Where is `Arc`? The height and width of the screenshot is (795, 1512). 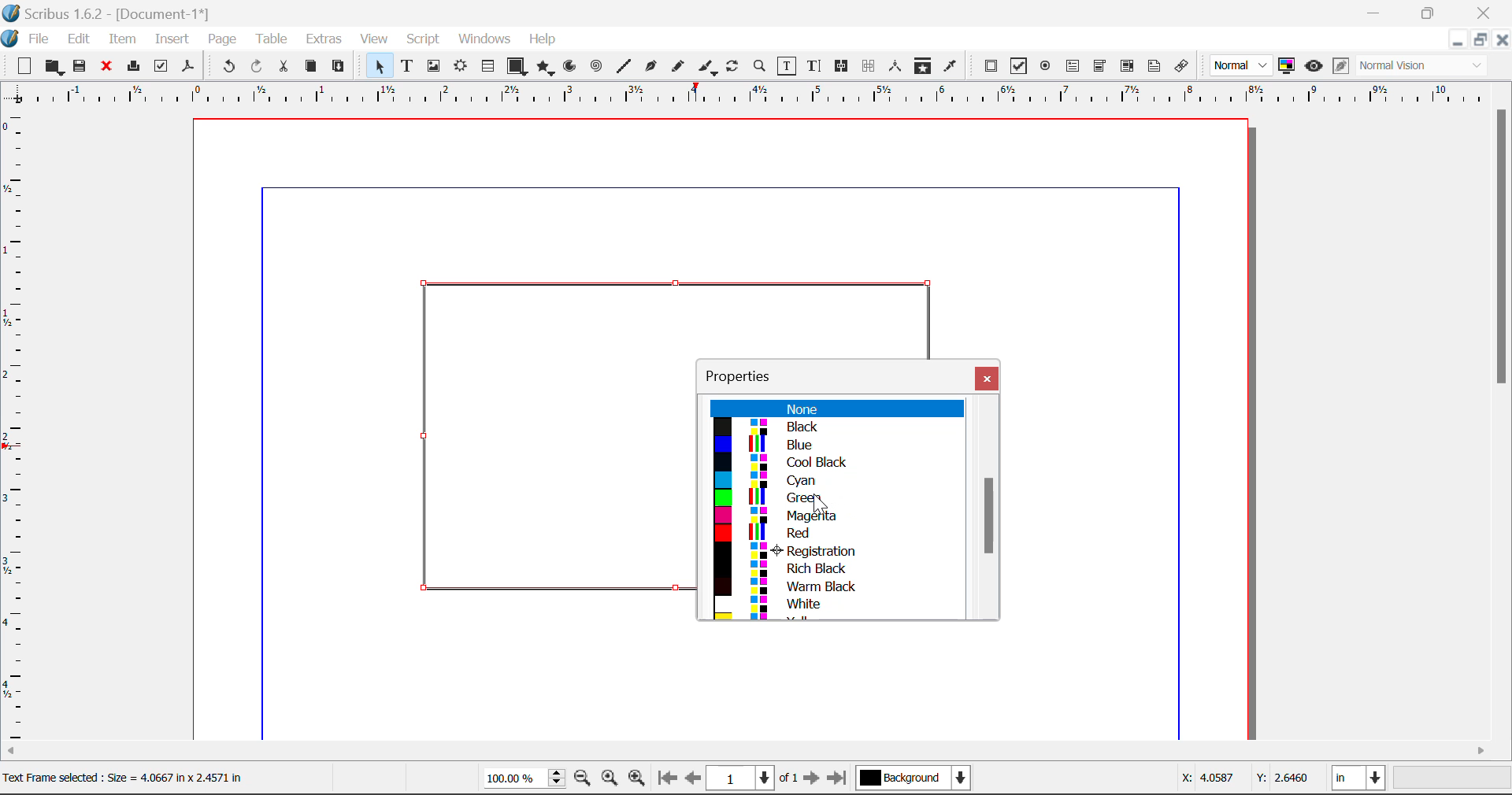 Arc is located at coordinates (571, 68).